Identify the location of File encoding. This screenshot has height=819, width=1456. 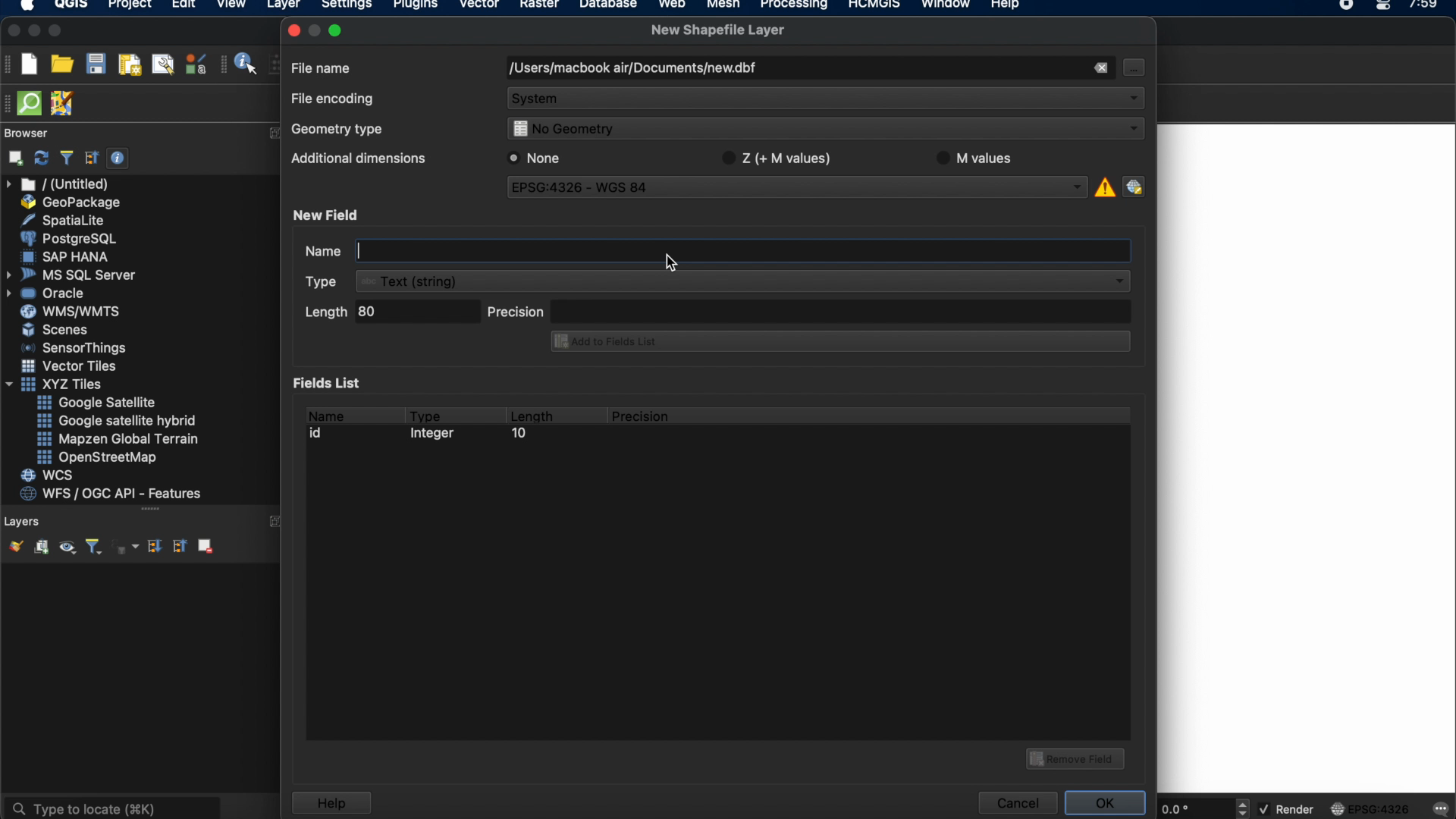
(334, 99).